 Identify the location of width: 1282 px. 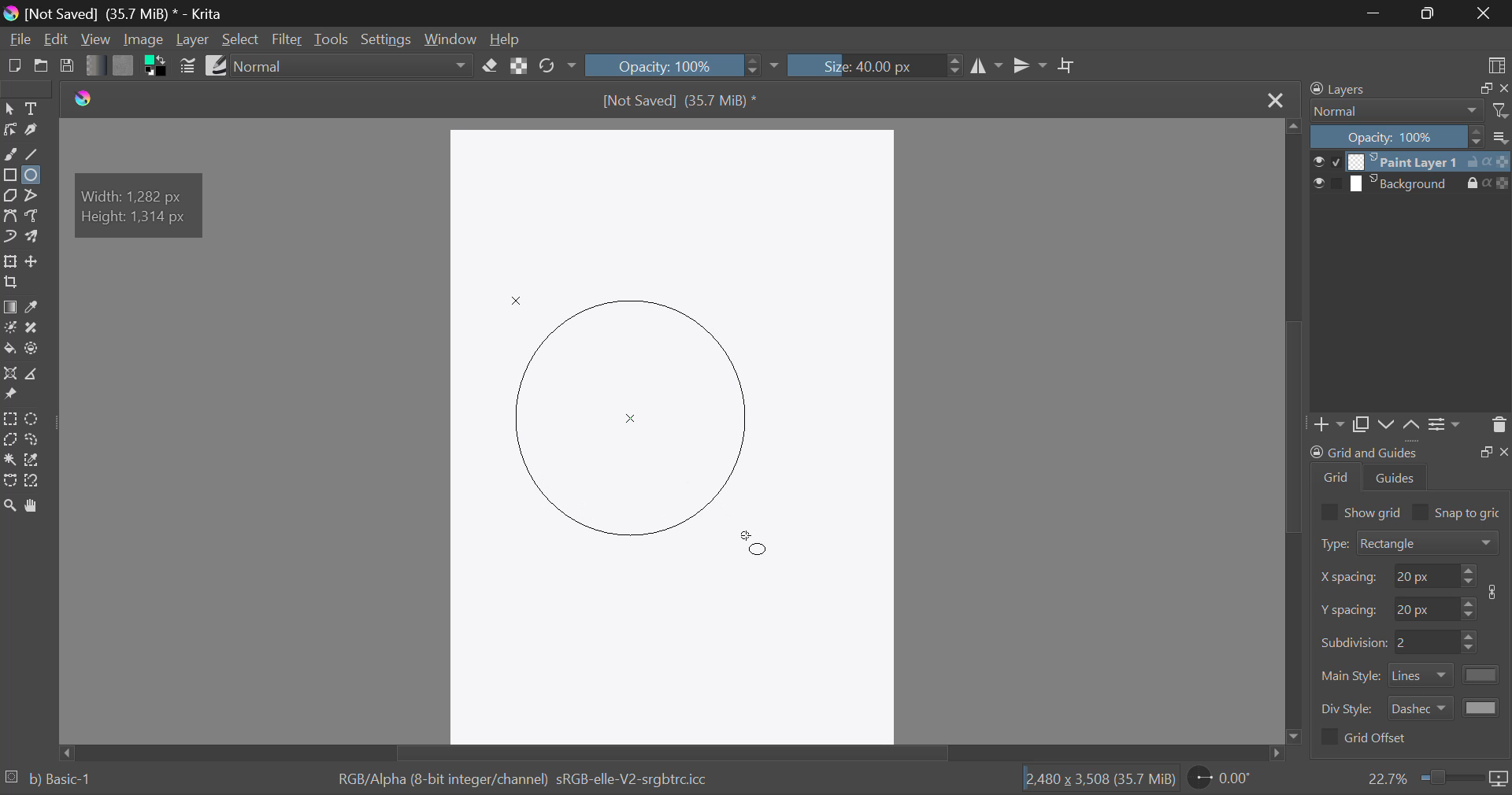
(134, 194).